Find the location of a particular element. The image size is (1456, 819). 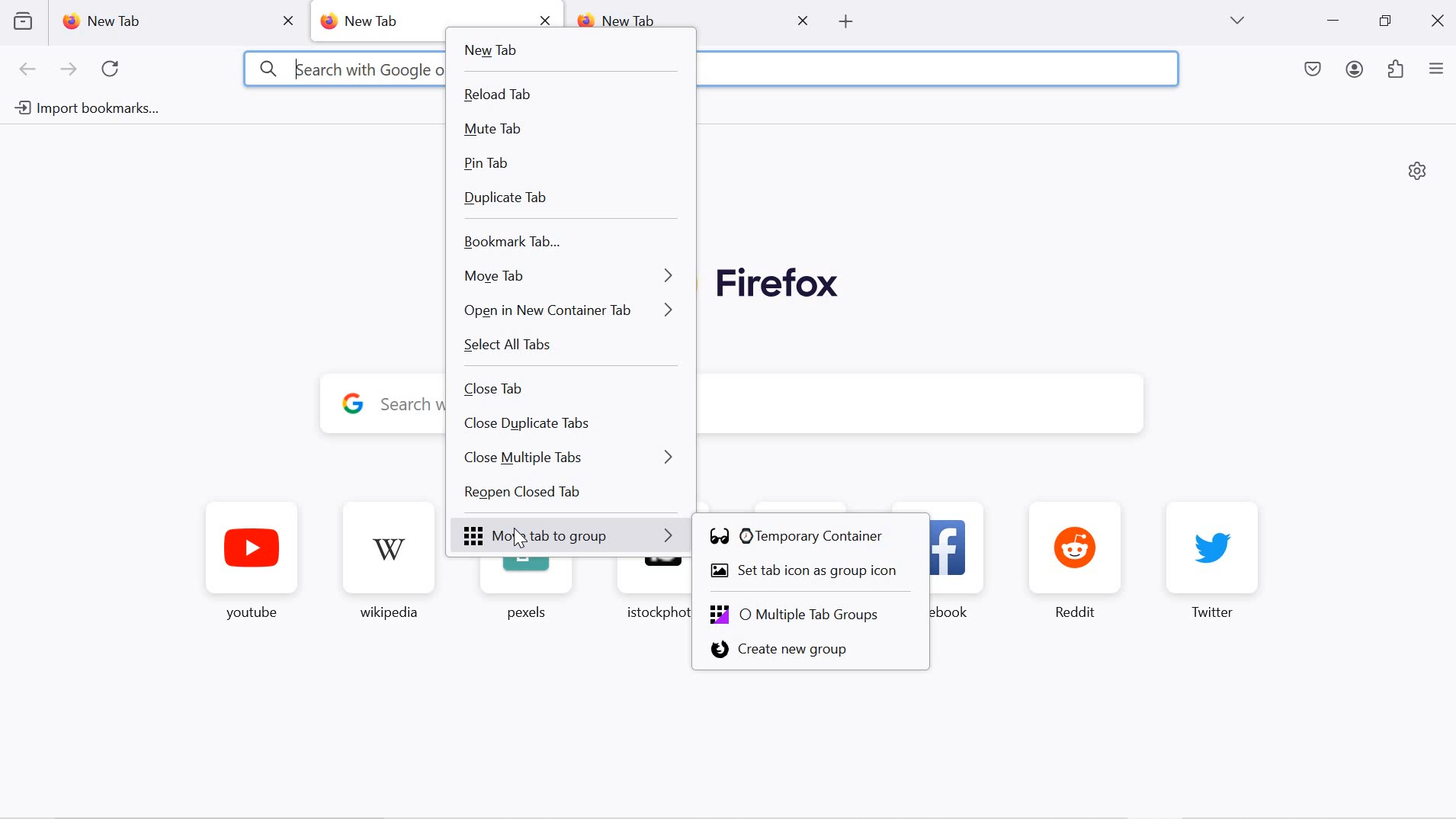

cursor is located at coordinates (523, 538).